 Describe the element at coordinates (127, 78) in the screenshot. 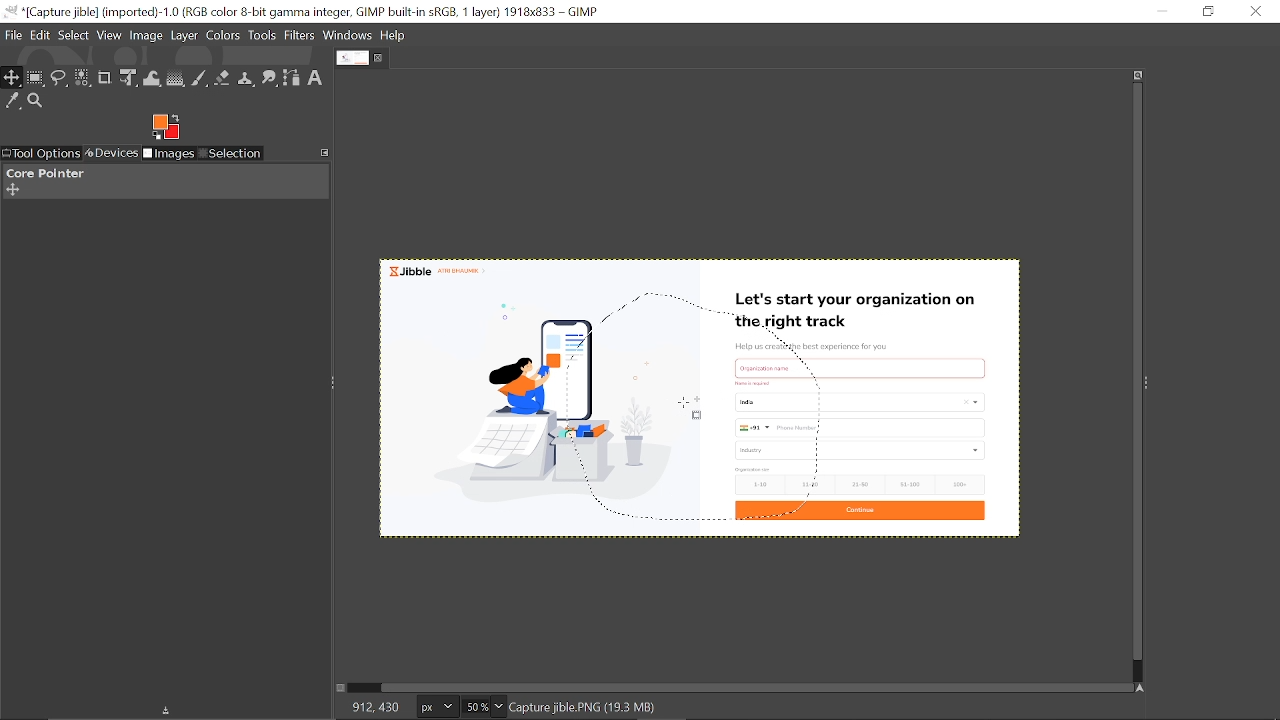

I see `Unified transform tool` at that location.